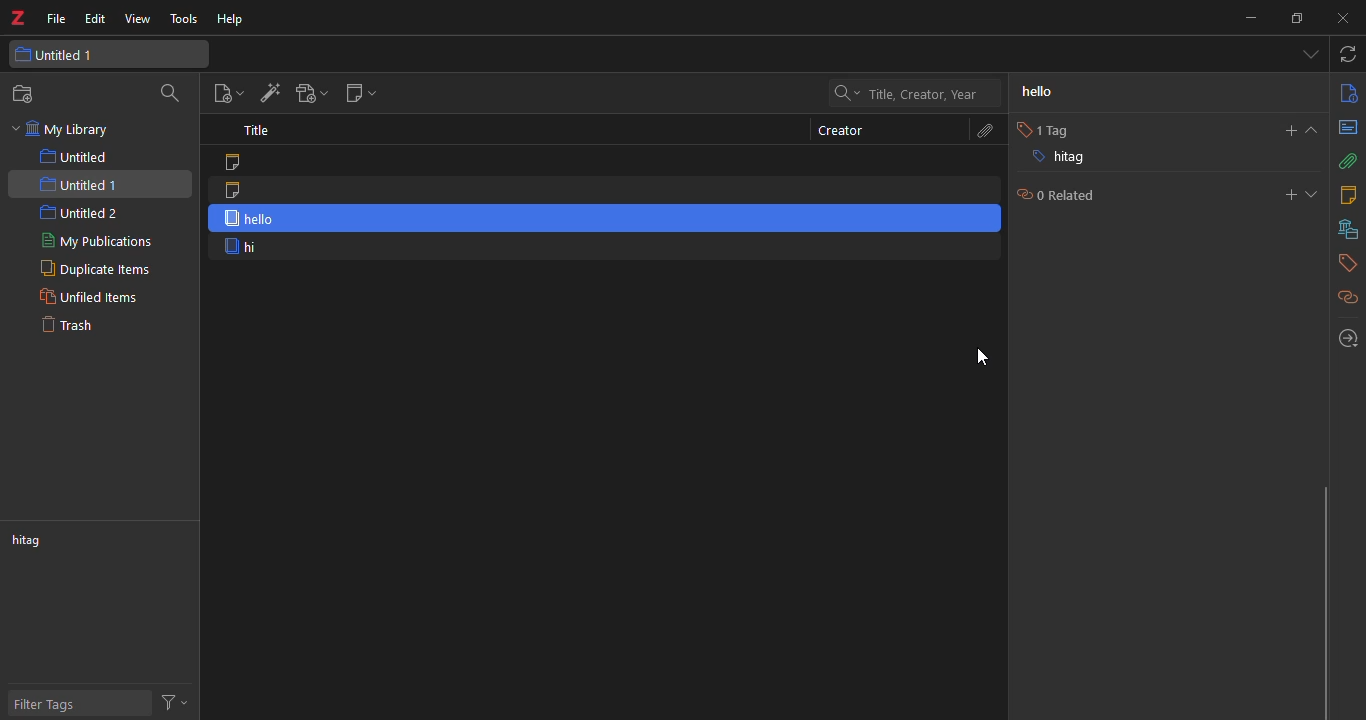  I want to click on expand, so click(1316, 130).